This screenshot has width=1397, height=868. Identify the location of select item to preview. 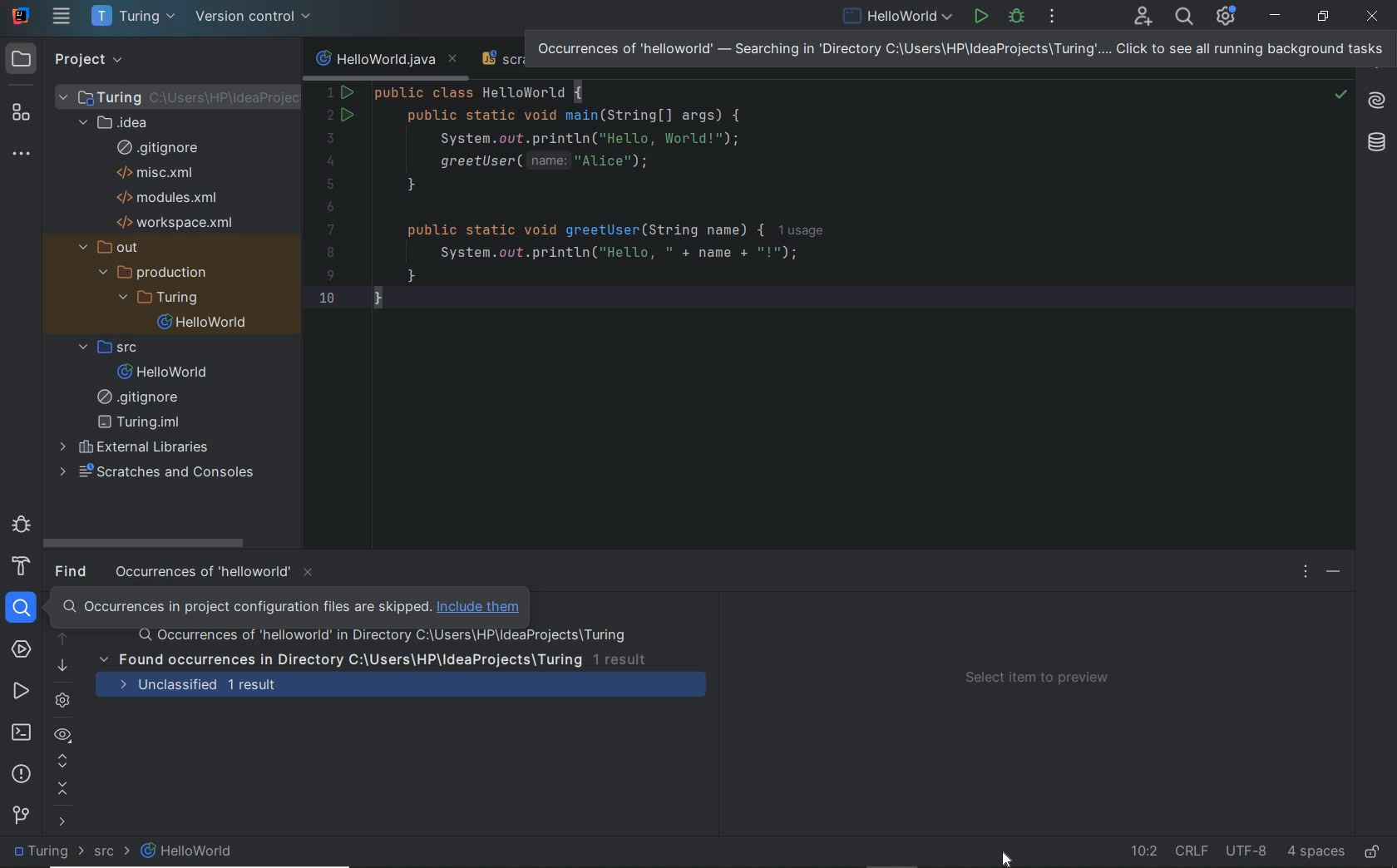
(1044, 678).